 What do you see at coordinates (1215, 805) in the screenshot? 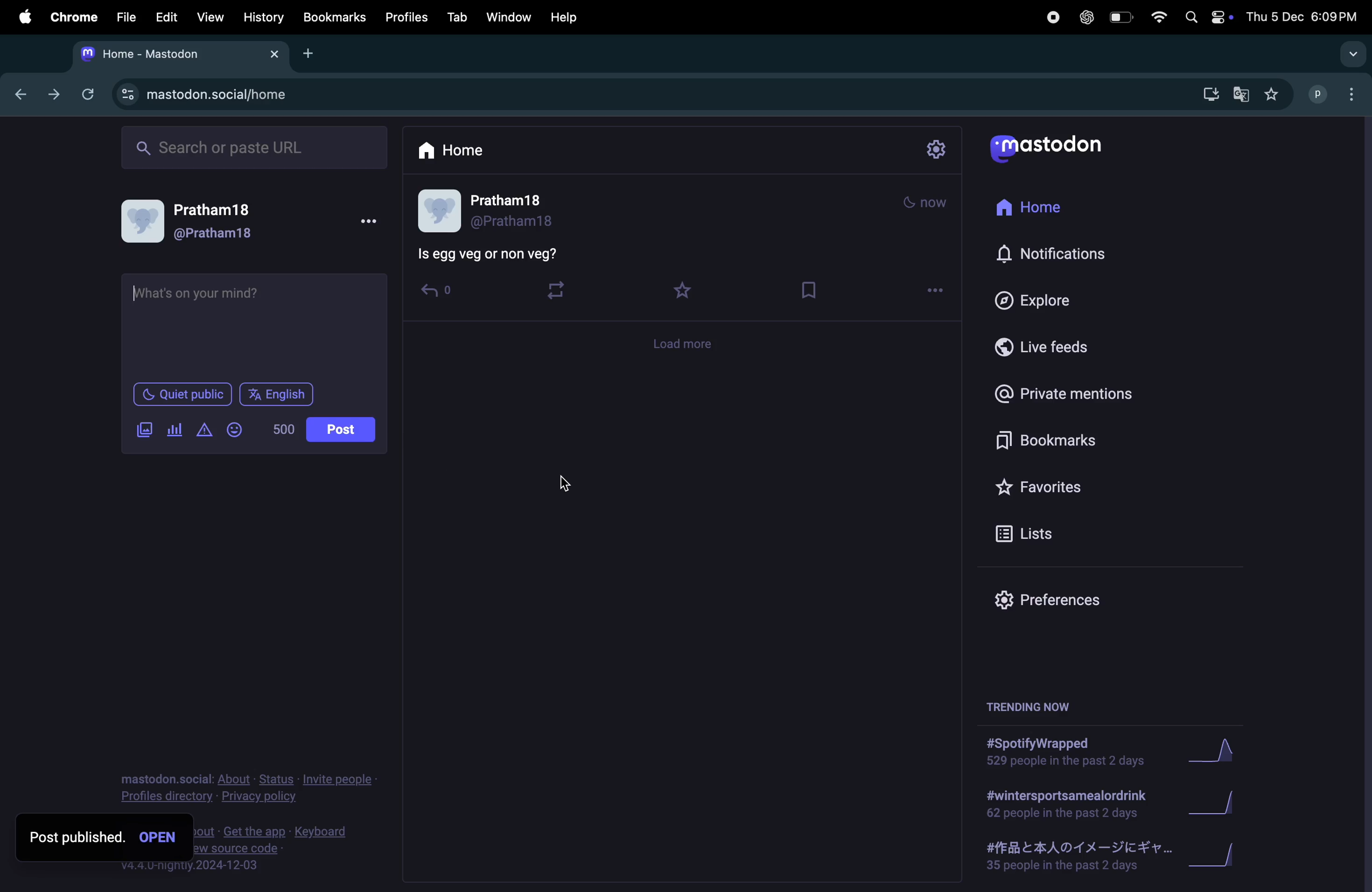
I see `graph` at bounding box center [1215, 805].